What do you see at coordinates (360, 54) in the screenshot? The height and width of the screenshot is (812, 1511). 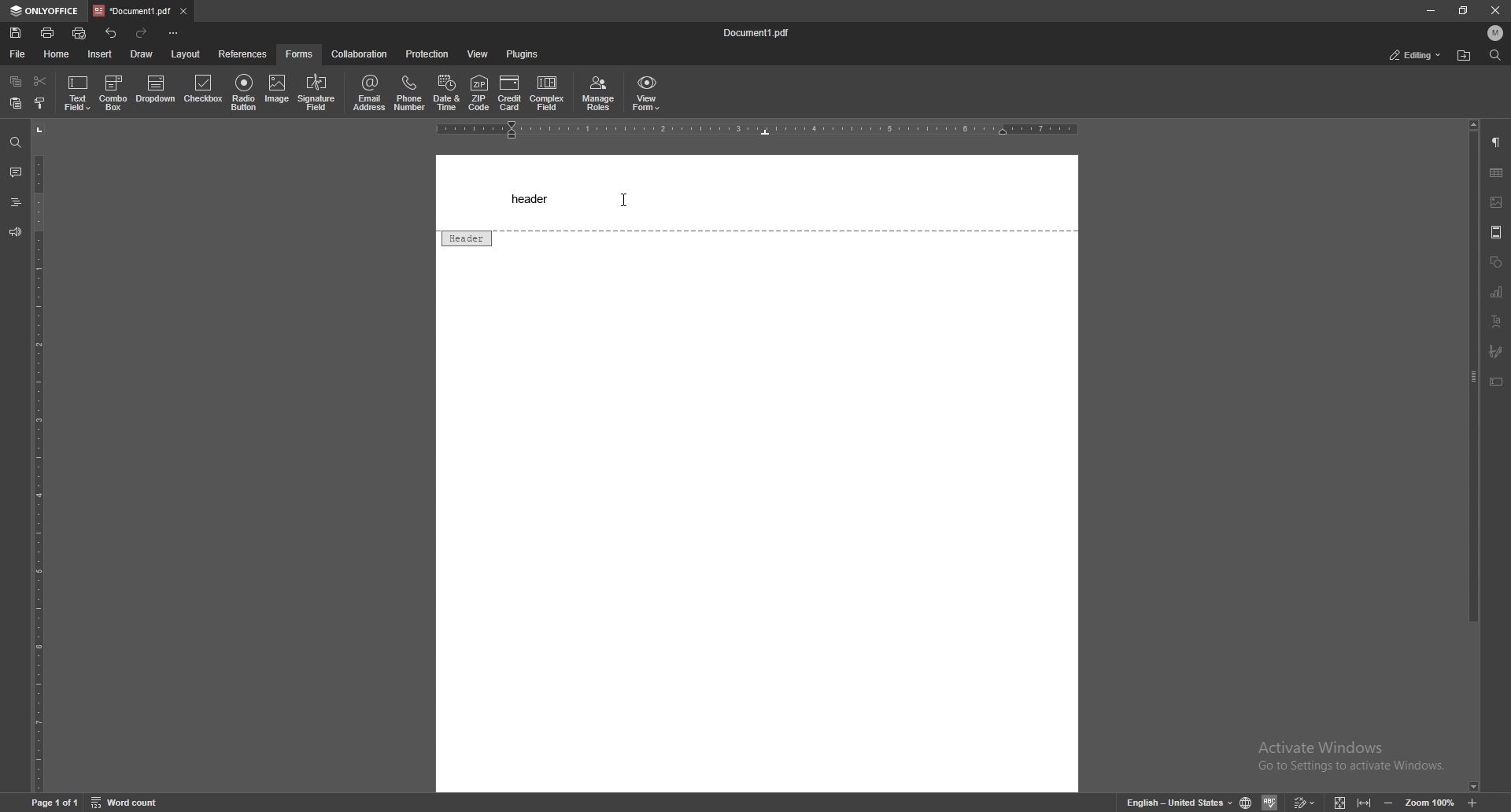 I see `collaboration` at bounding box center [360, 54].